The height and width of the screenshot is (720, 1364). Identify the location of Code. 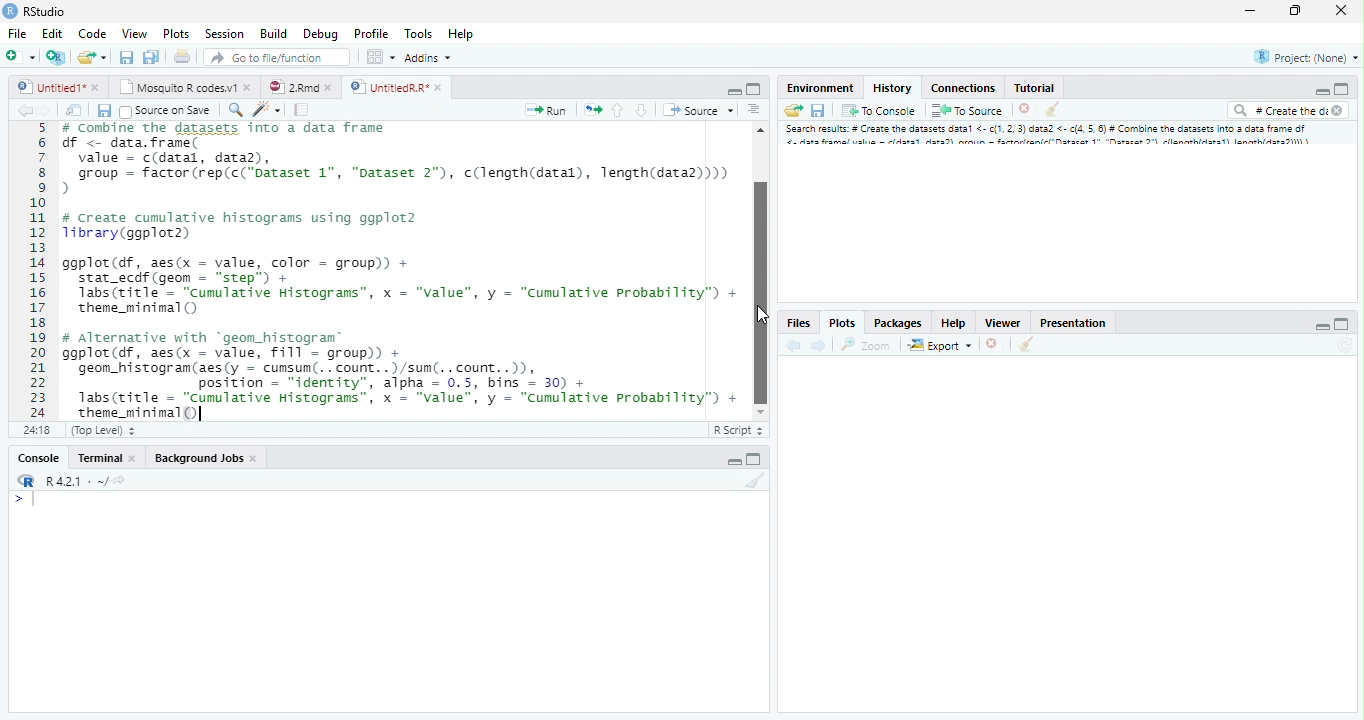
(91, 35).